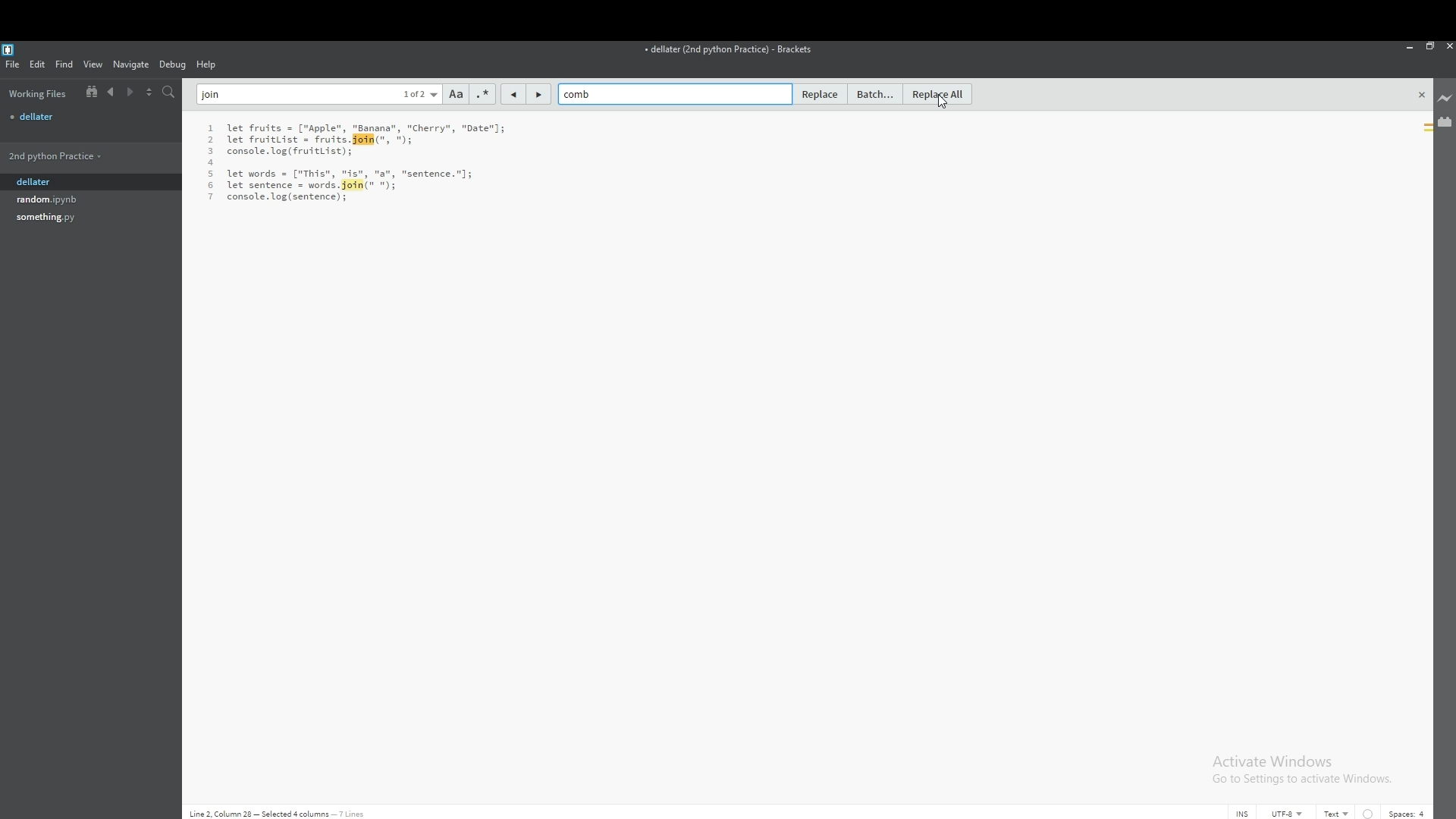  Describe the element at coordinates (173, 64) in the screenshot. I see `debug` at that location.